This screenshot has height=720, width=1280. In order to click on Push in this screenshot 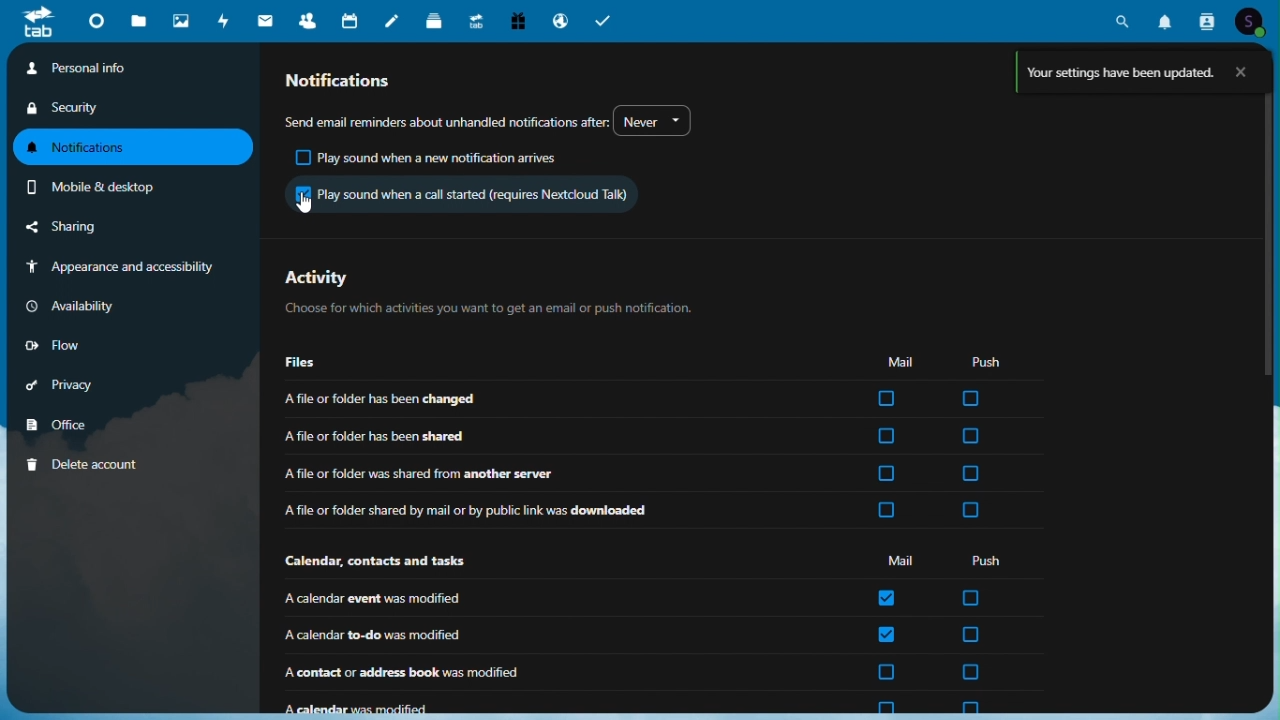, I will do `click(991, 560)`.